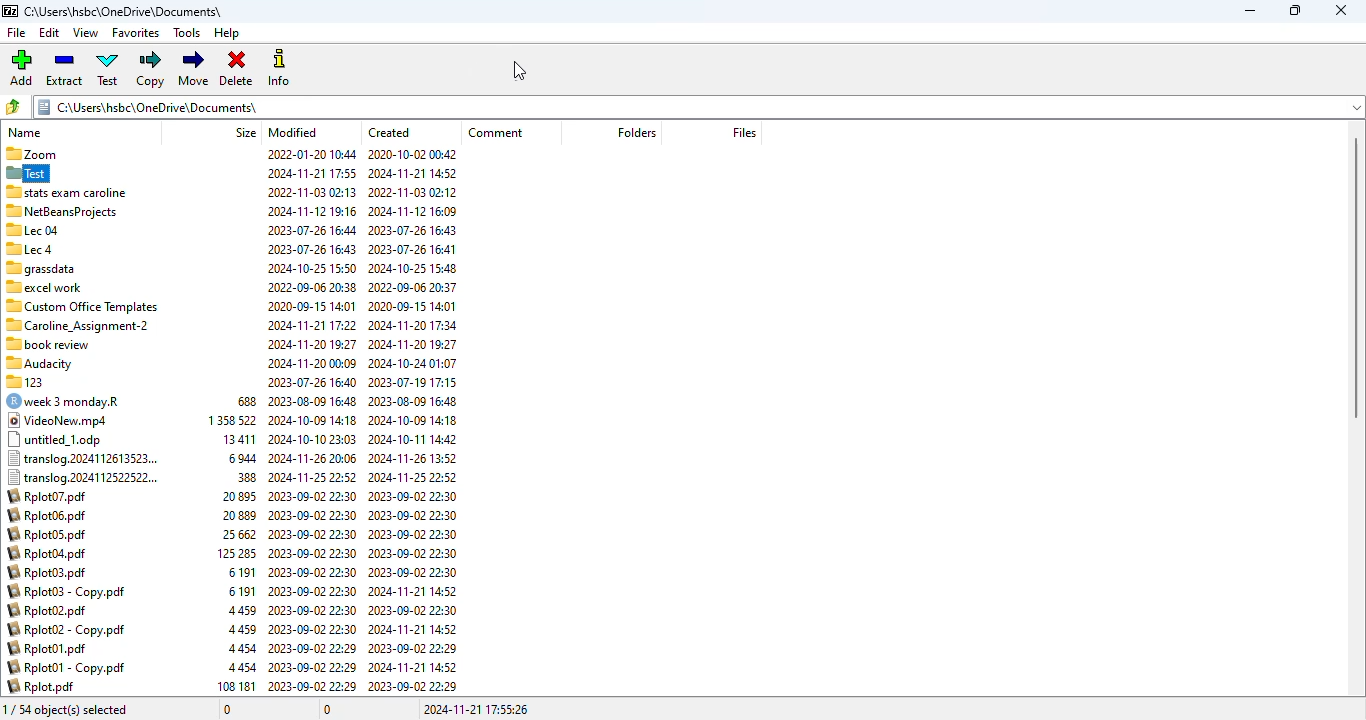  I want to click on 2024-11-20 00:09, so click(312, 363).